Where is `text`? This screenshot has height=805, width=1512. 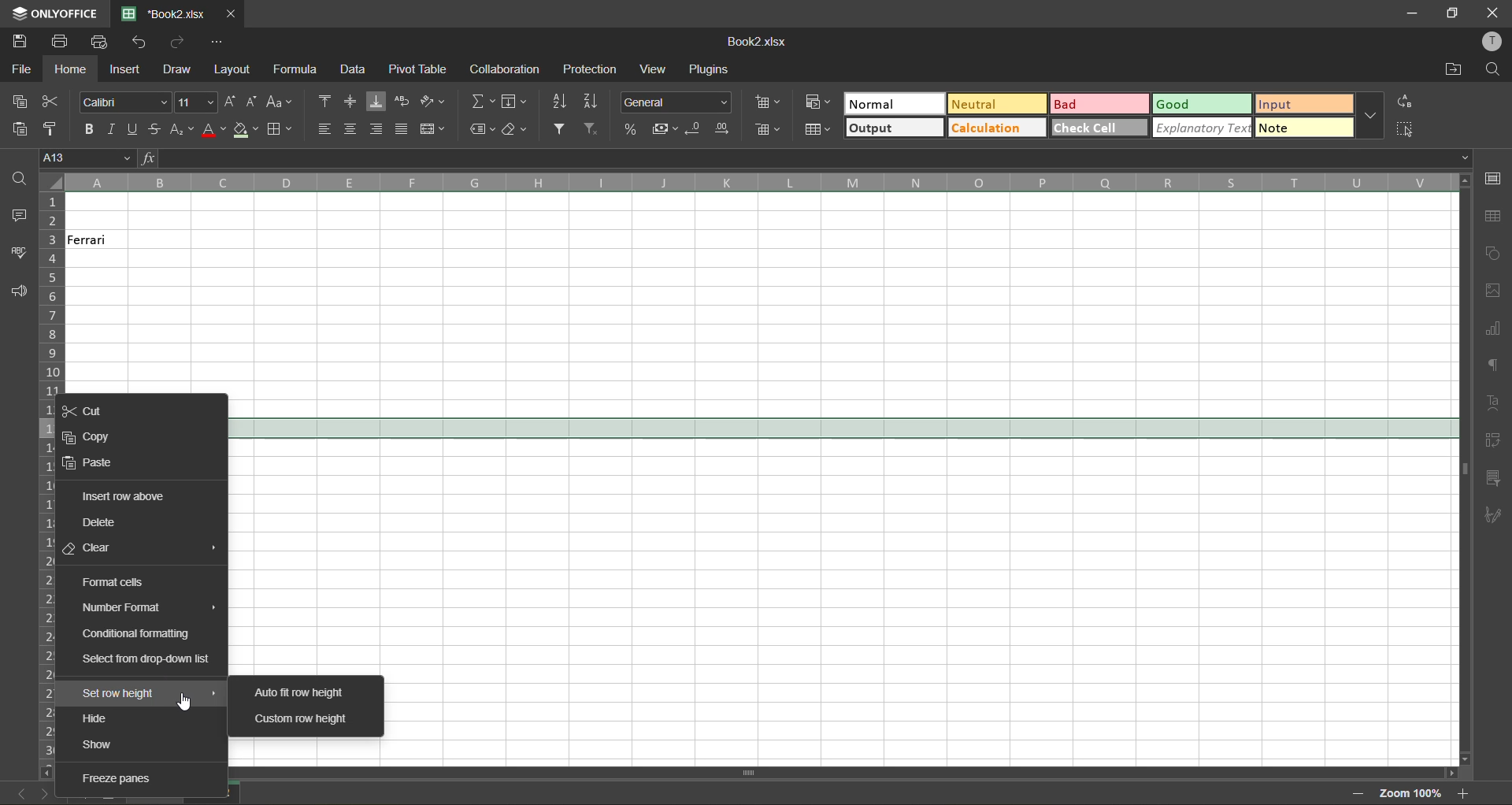 text is located at coordinates (1495, 403).